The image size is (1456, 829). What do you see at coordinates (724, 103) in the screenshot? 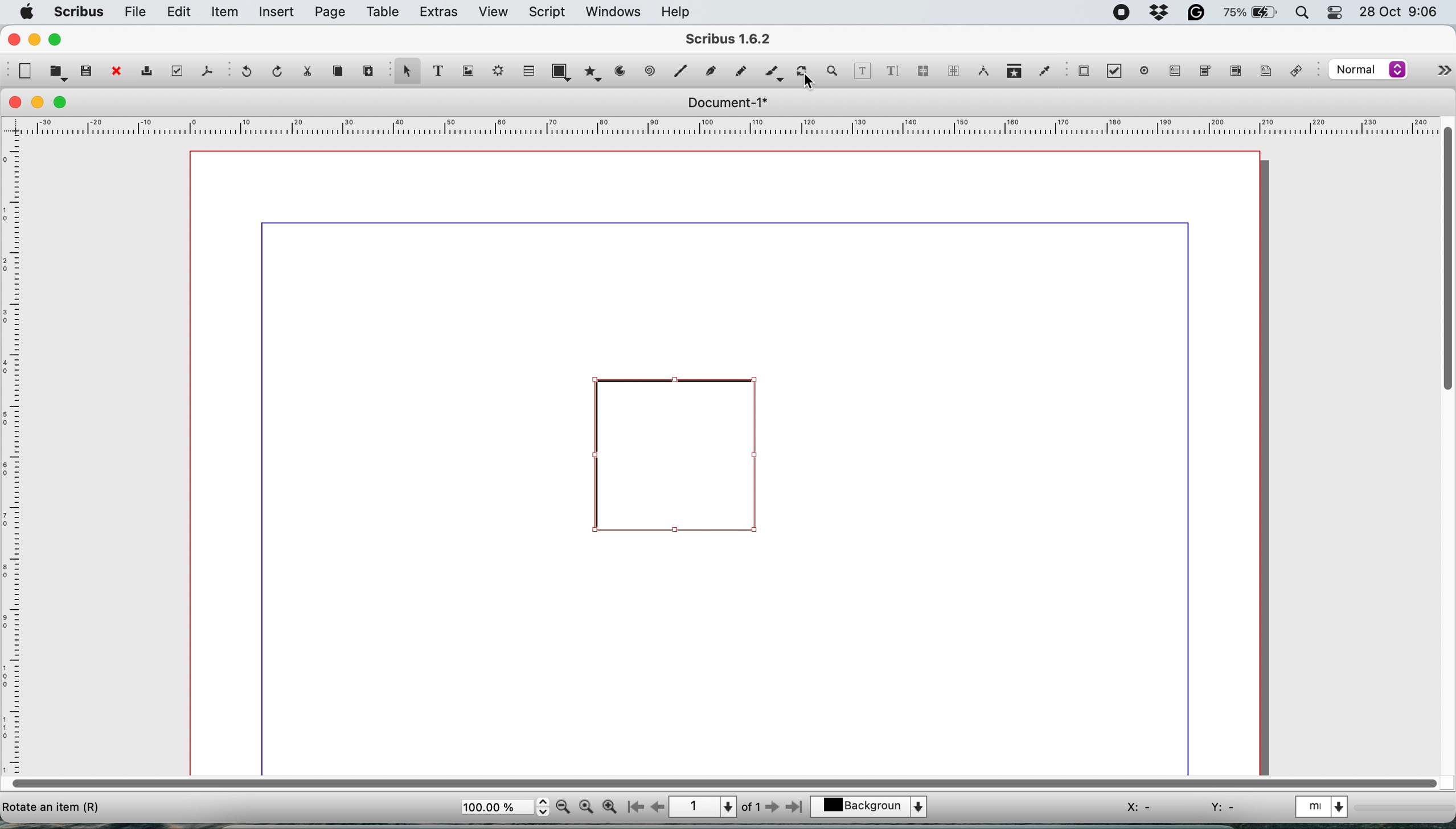
I see `document-1*` at bounding box center [724, 103].